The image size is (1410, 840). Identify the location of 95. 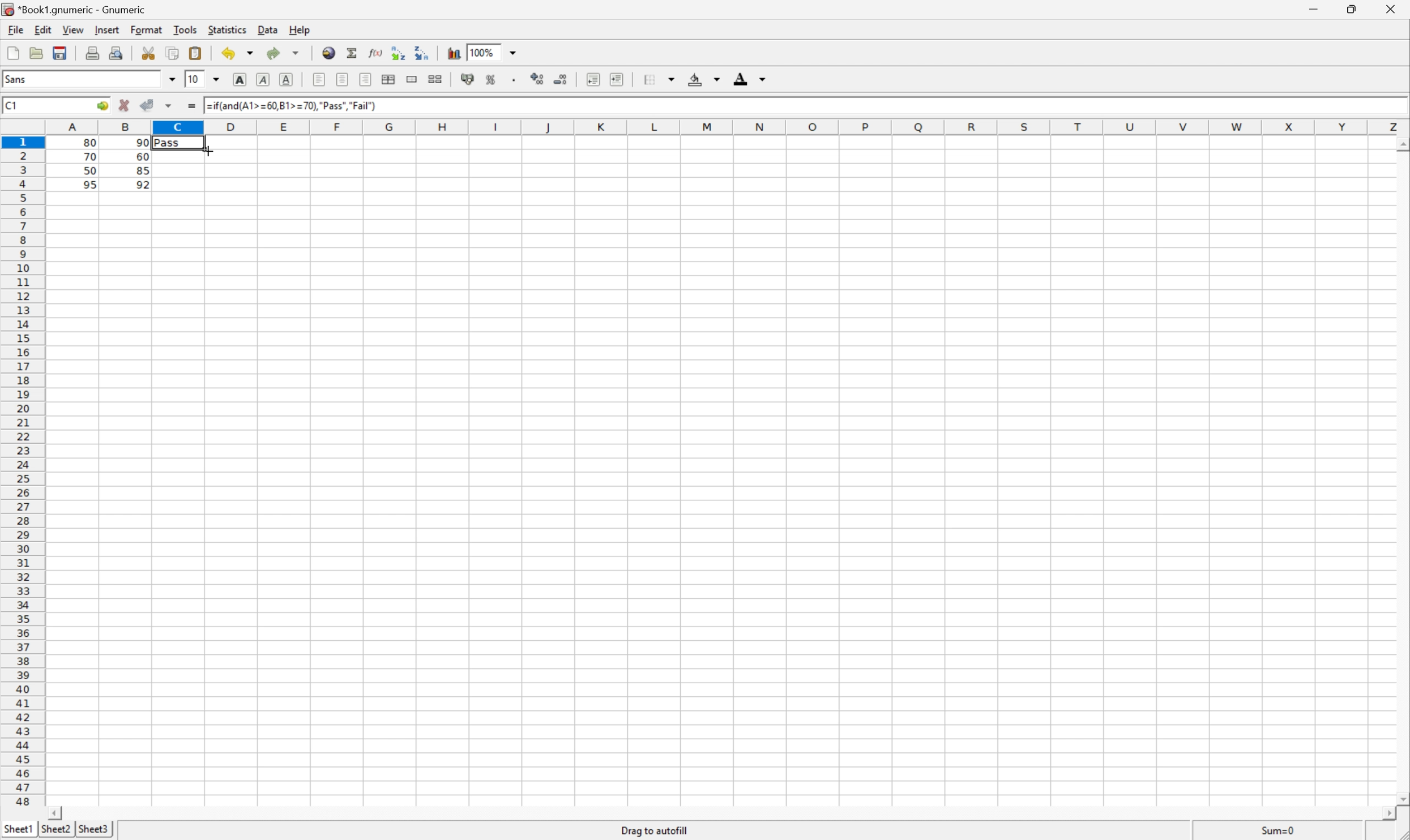
(89, 185).